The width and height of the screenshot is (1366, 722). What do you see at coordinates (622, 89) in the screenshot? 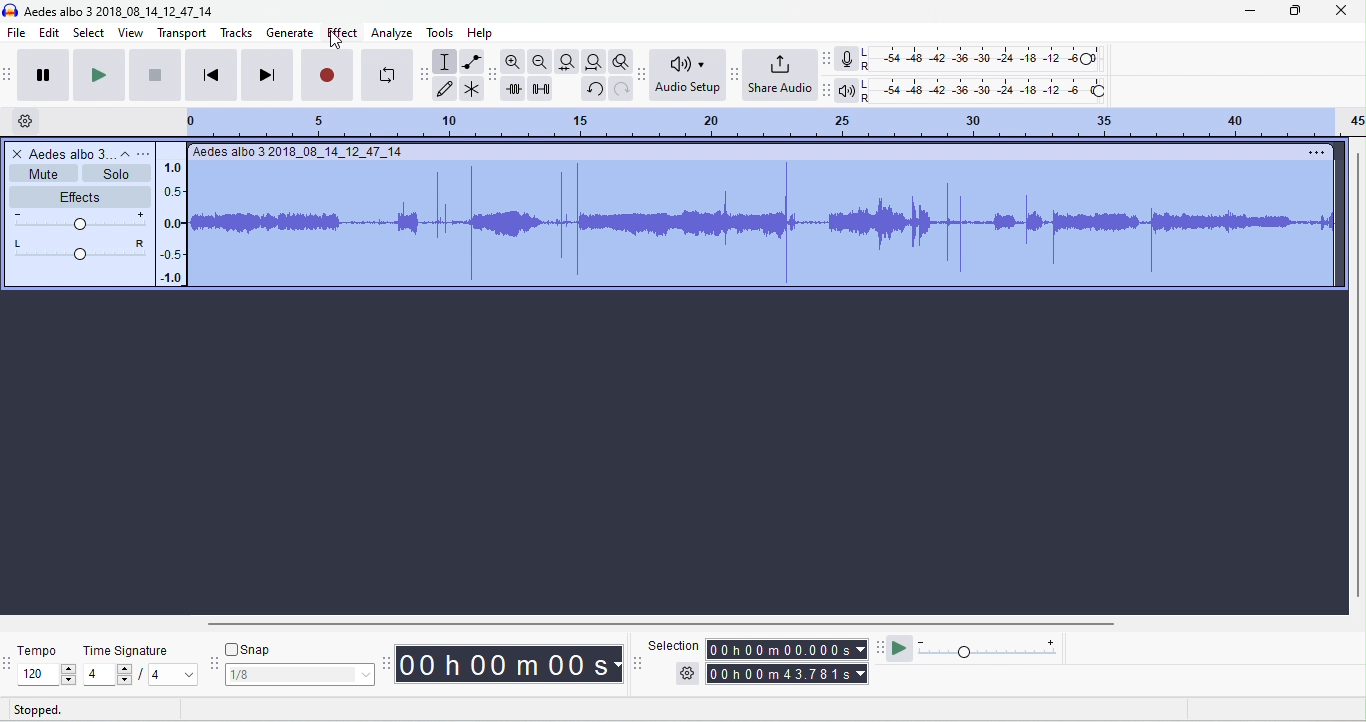
I see `redo` at bounding box center [622, 89].